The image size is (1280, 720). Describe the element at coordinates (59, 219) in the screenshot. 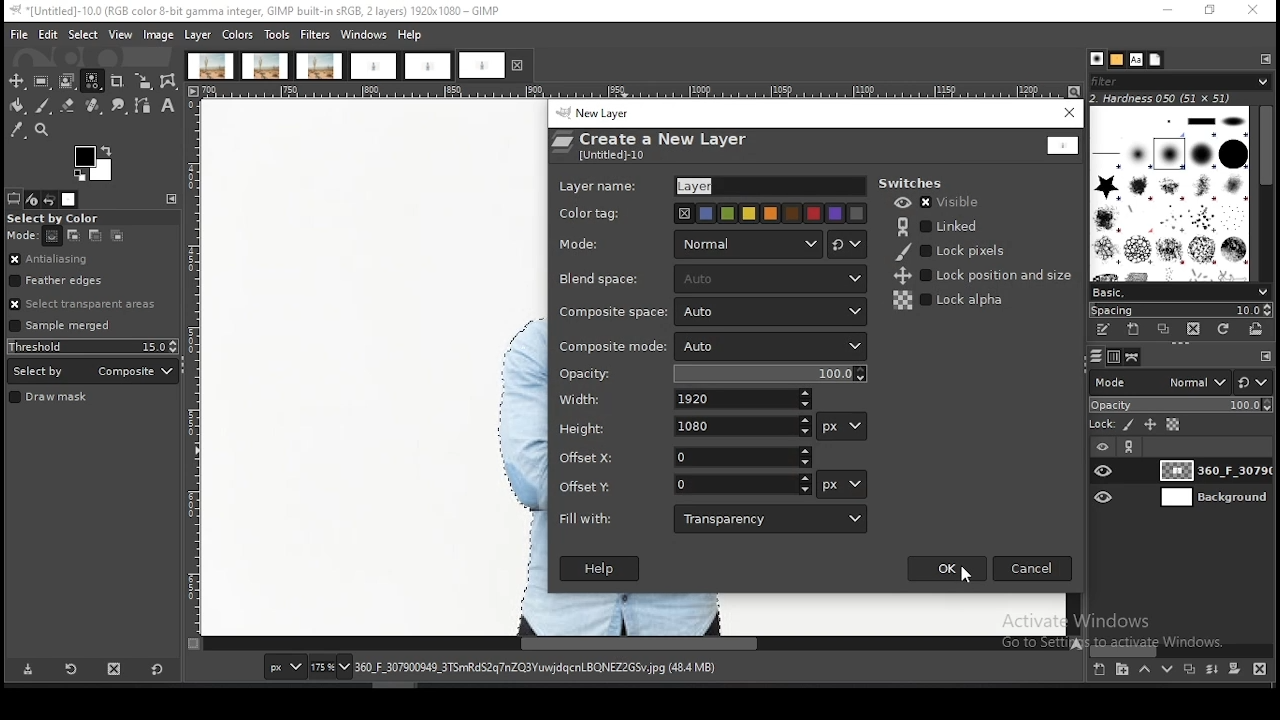

I see `select by color` at that location.